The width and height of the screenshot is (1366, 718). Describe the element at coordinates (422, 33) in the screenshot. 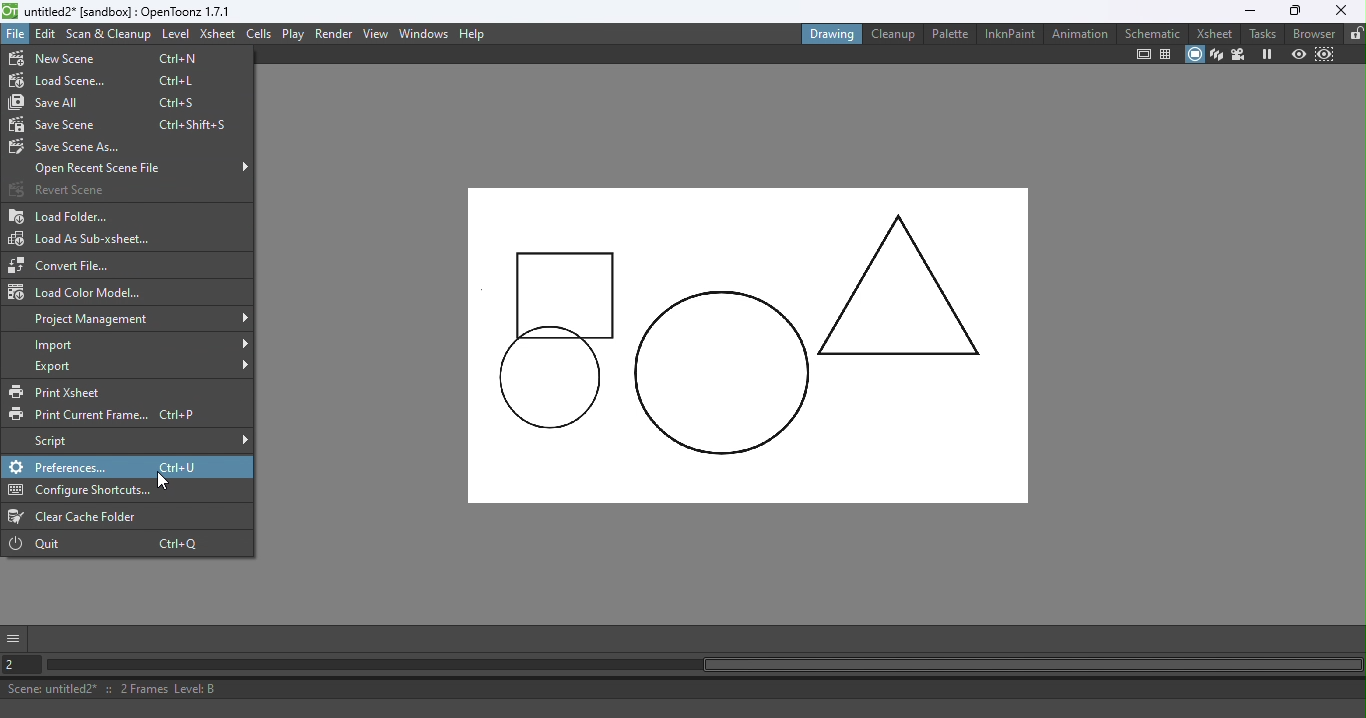

I see `Windows` at that location.